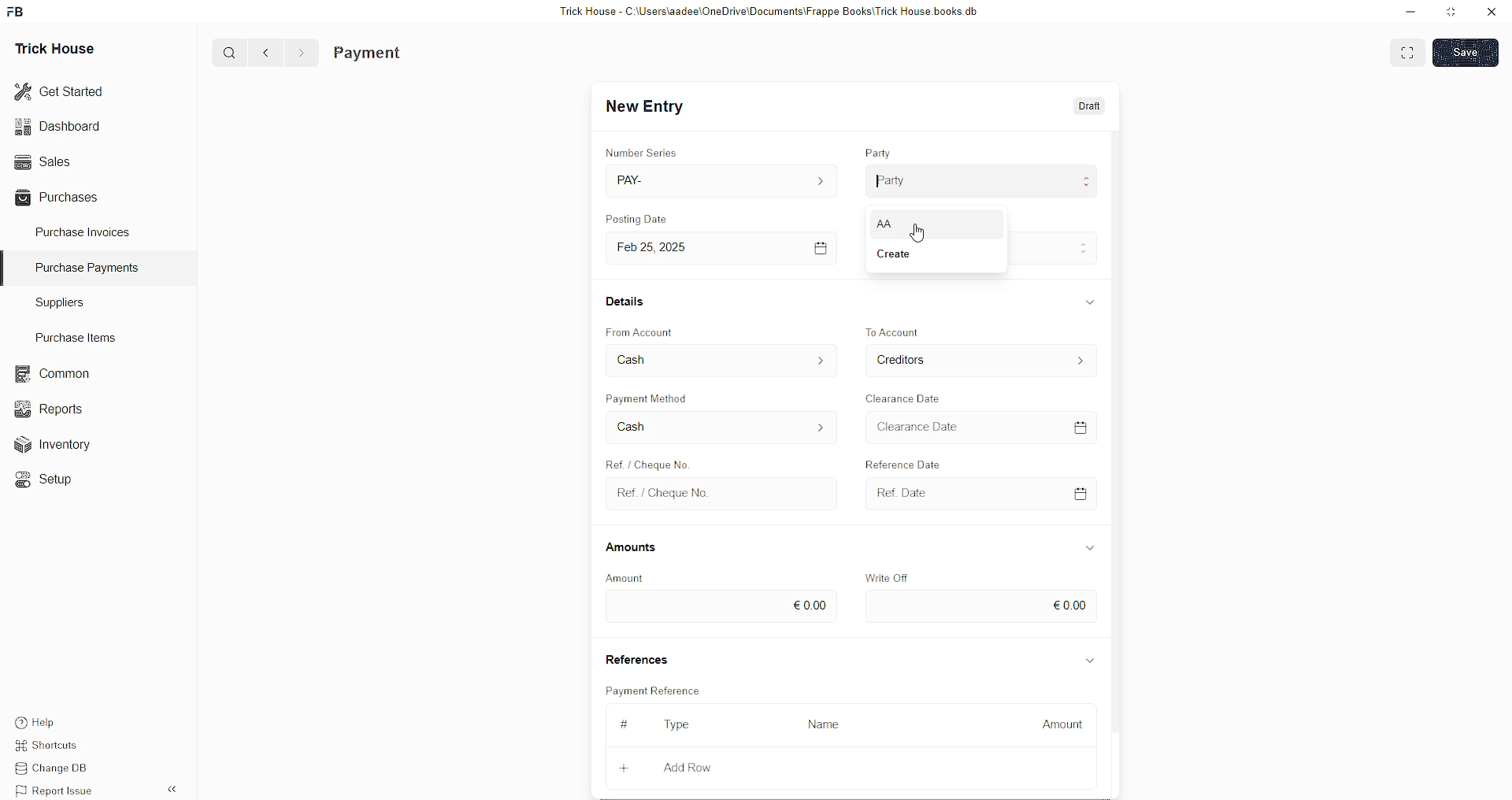 The width and height of the screenshot is (1512, 800). Describe the element at coordinates (638, 548) in the screenshot. I see `Amounts` at that location.